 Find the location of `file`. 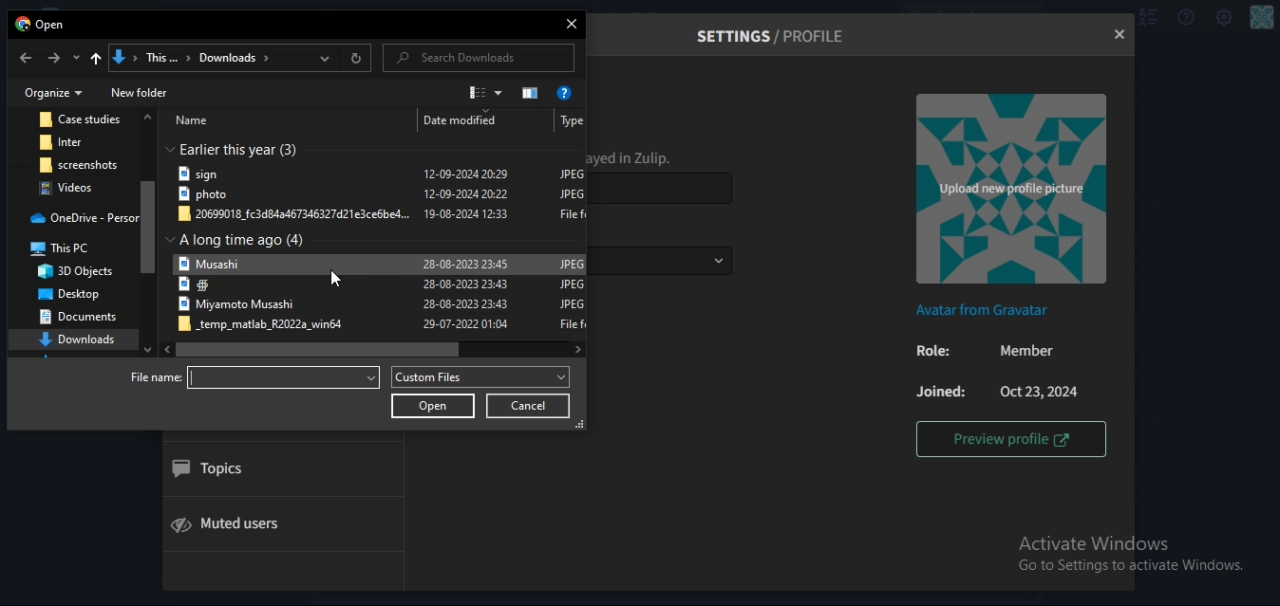

file is located at coordinates (76, 142).